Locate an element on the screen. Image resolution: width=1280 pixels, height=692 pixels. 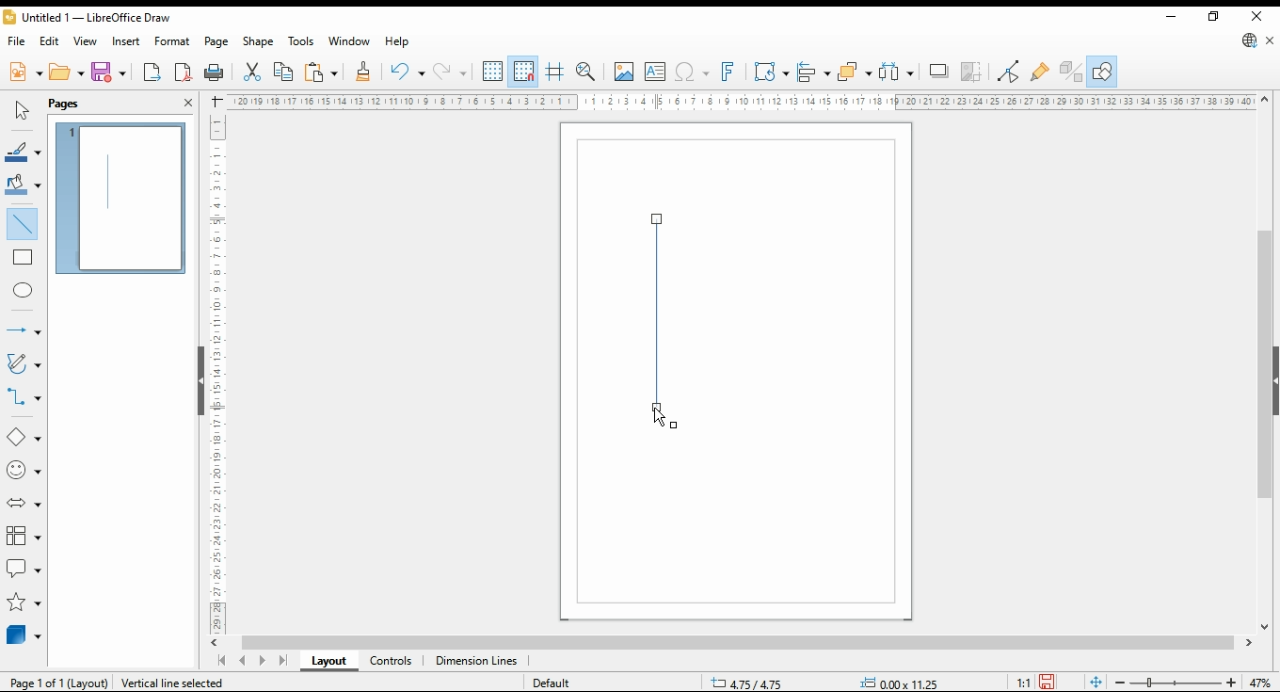
copy formatting is located at coordinates (364, 72).